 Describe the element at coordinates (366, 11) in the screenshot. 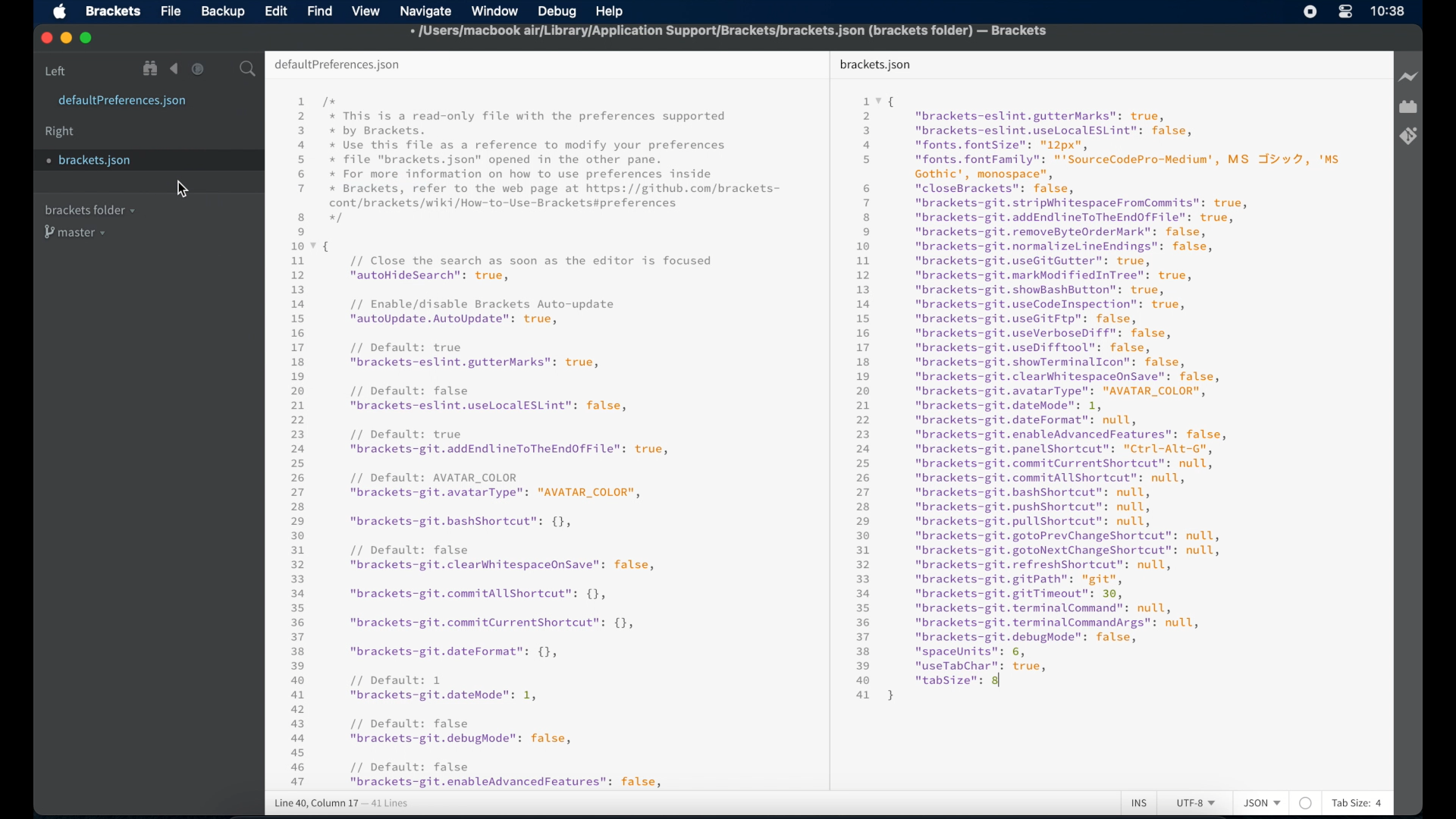

I see `view` at that location.